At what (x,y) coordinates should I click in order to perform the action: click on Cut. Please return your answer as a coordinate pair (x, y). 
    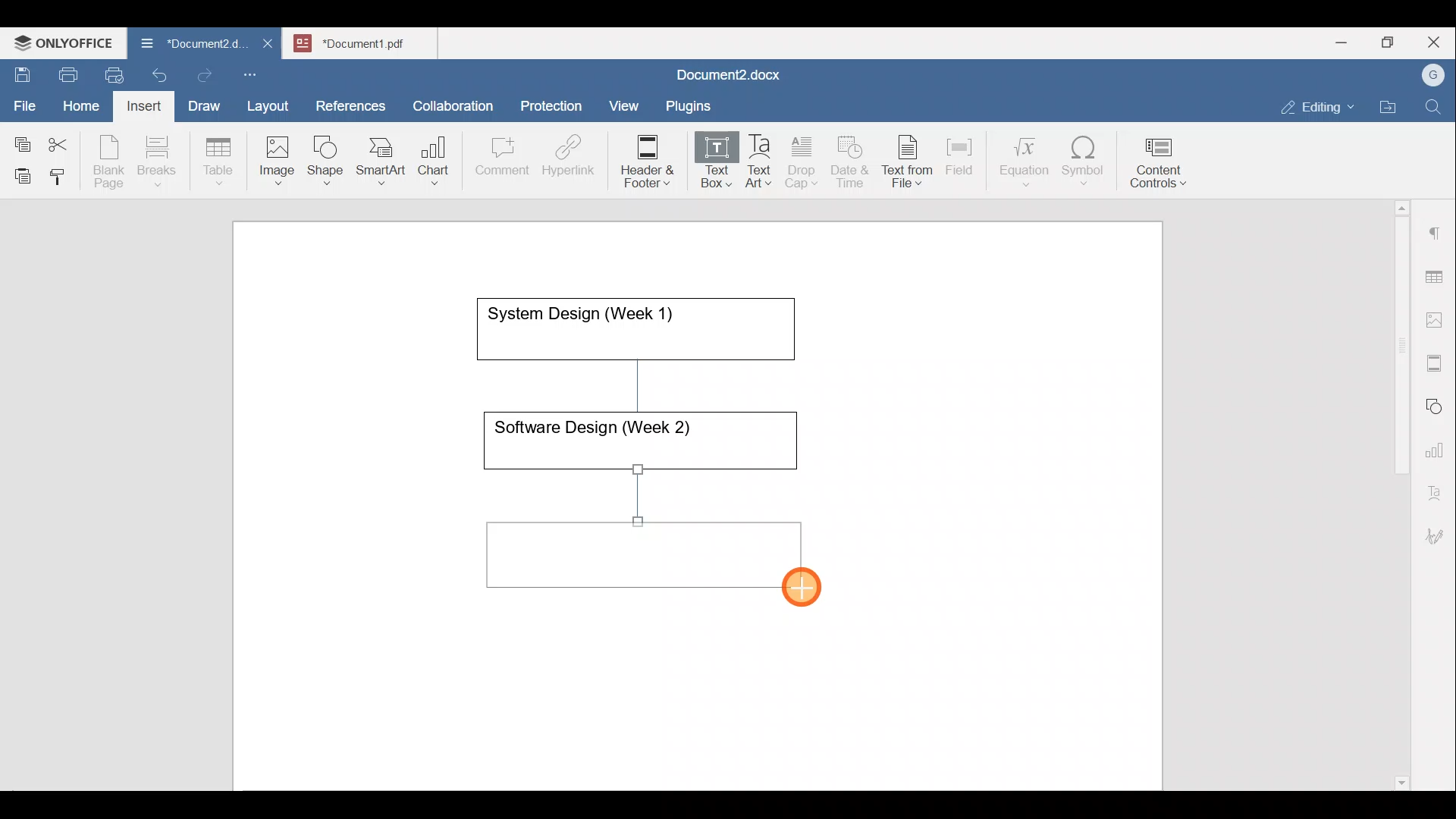
    Looking at the image, I should click on (64, 141).